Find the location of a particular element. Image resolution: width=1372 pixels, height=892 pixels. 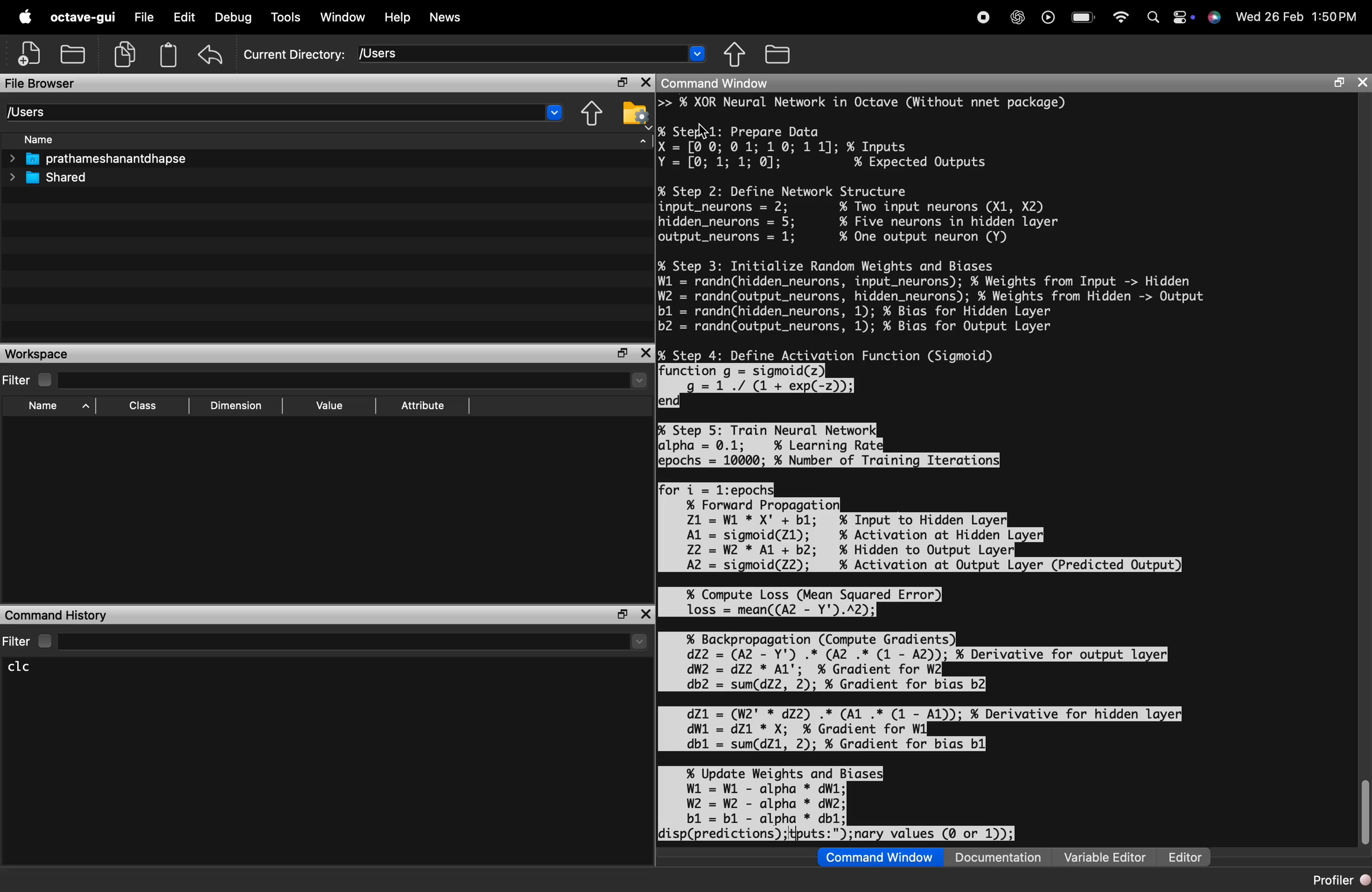

Dimension is located at coordinates (235, 406).